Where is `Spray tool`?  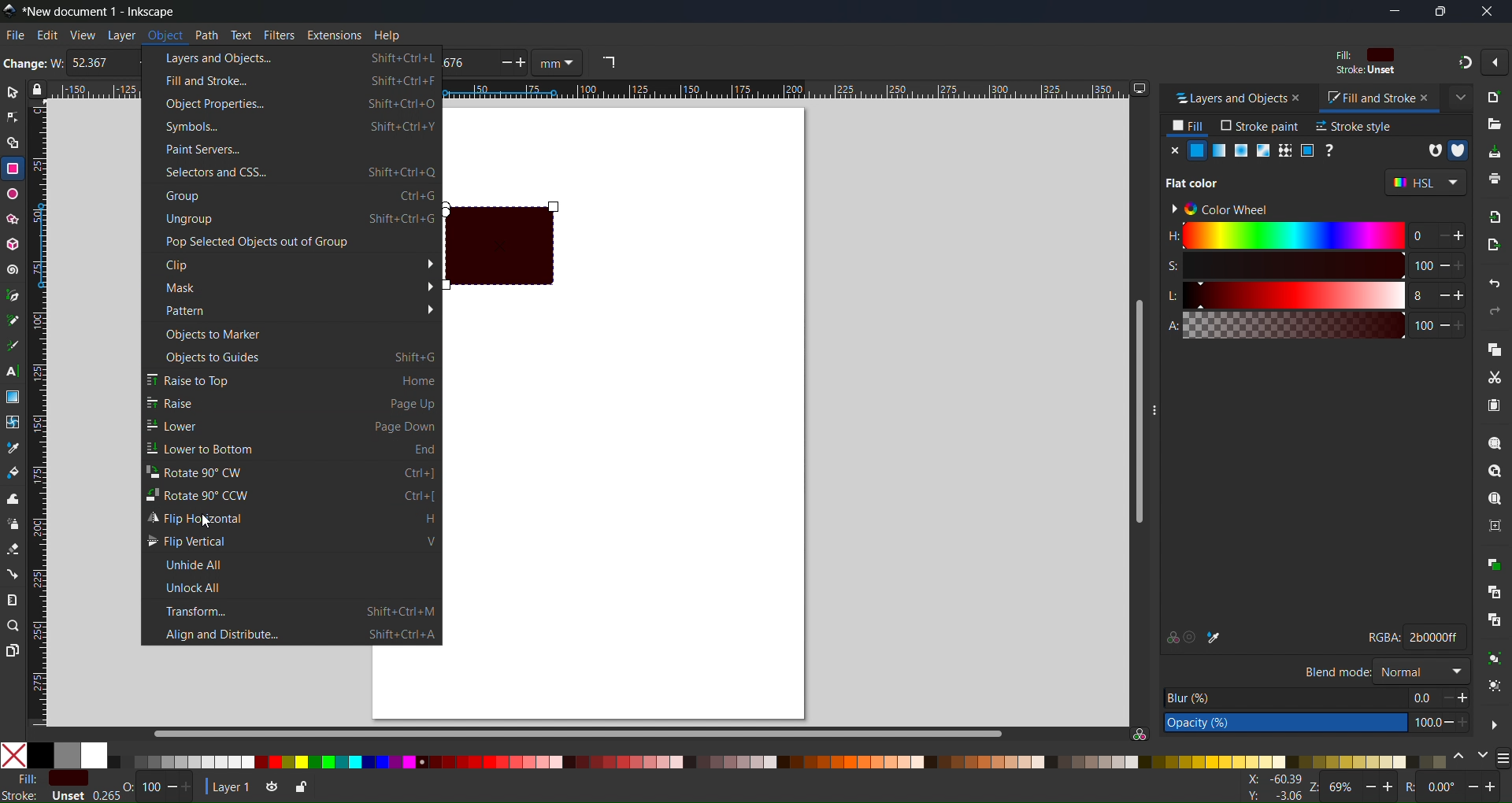 Spray tool is located at coordinates (13, 524).